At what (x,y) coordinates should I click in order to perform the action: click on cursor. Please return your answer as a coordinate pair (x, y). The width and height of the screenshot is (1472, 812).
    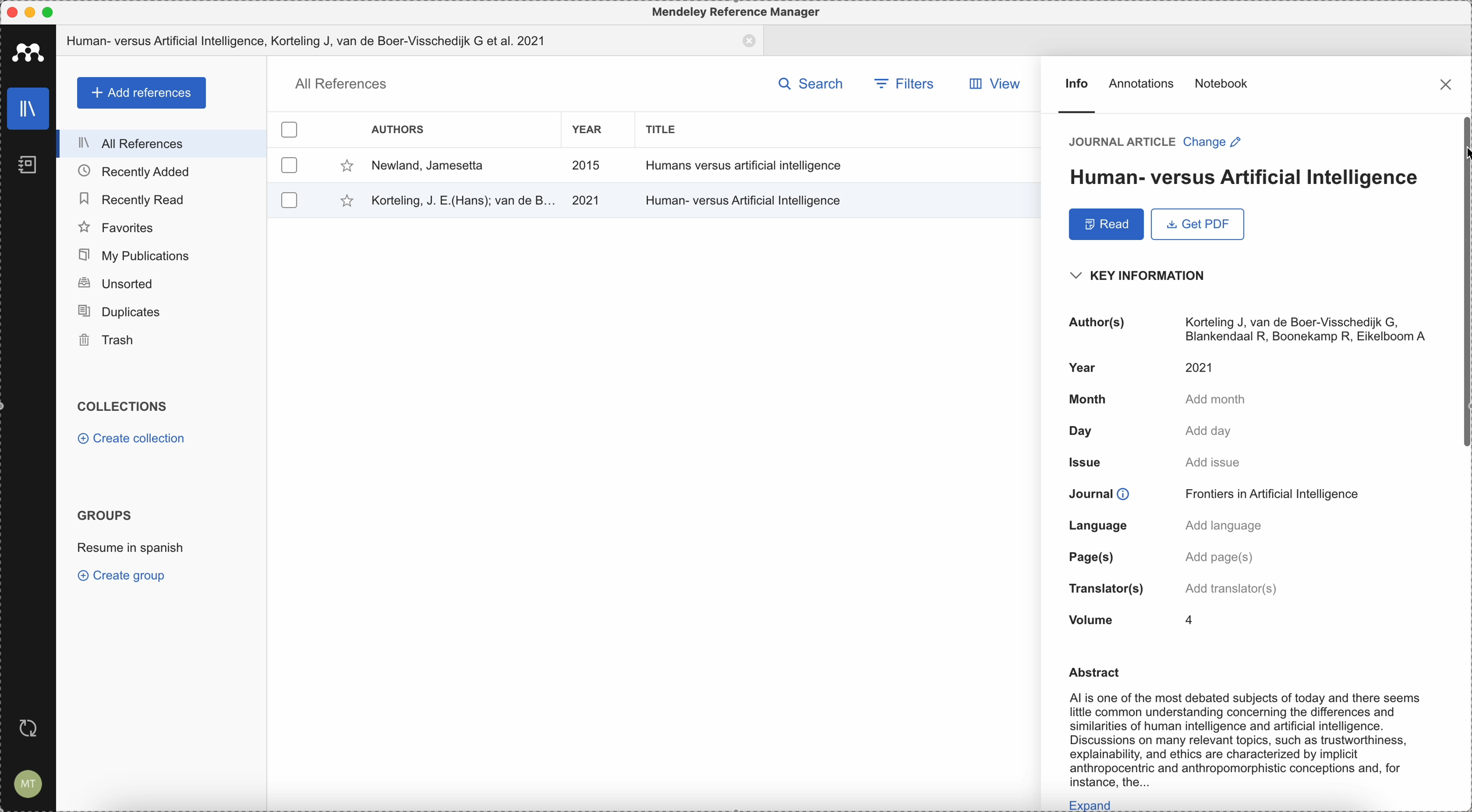
    Looking at the image, I should click on (1463, 158).